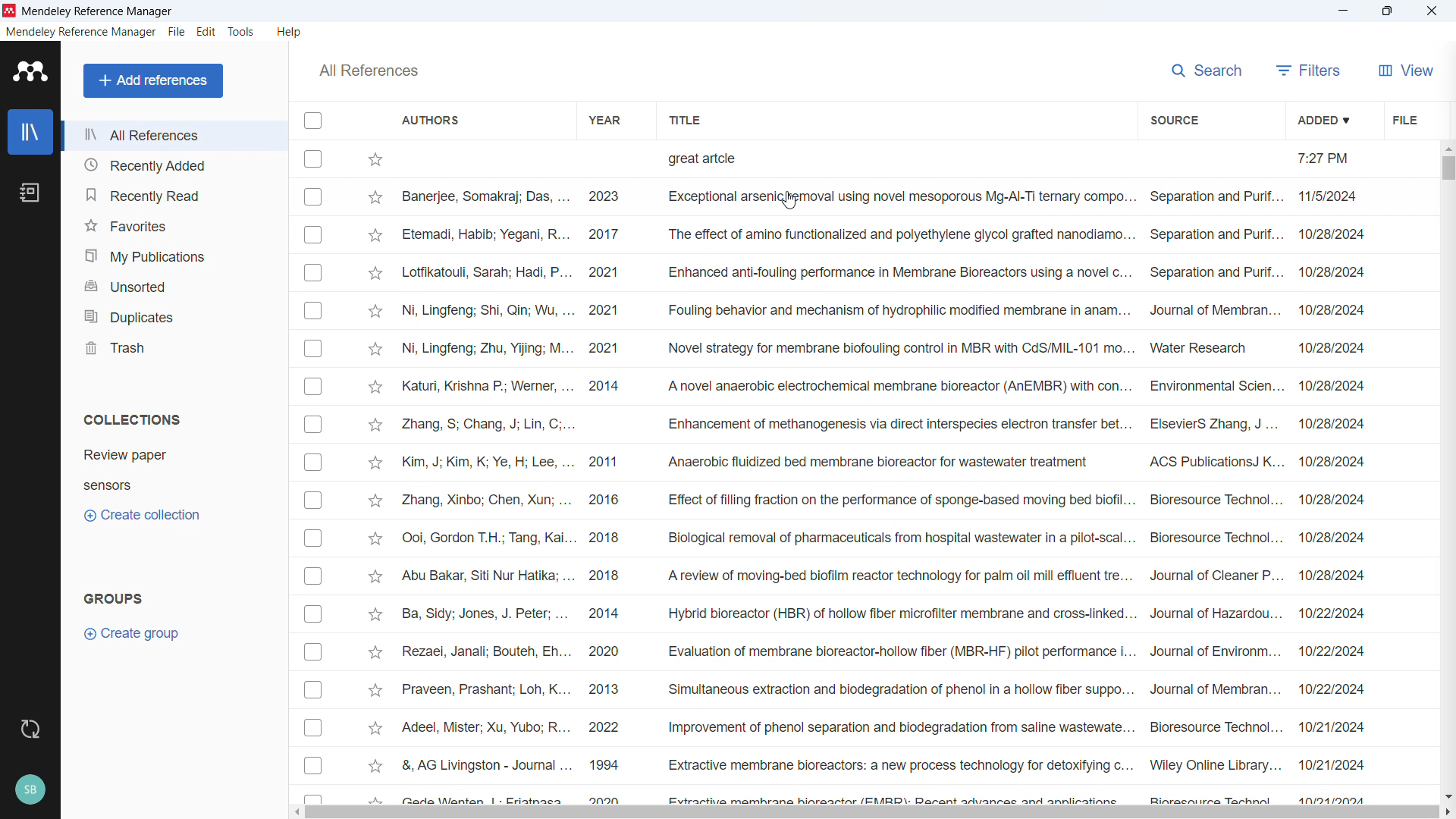 This screenshot has width=1456, height=819. Describe the element at coordinates (1204, 69) in the screenshot. I see `Search ` at that location.